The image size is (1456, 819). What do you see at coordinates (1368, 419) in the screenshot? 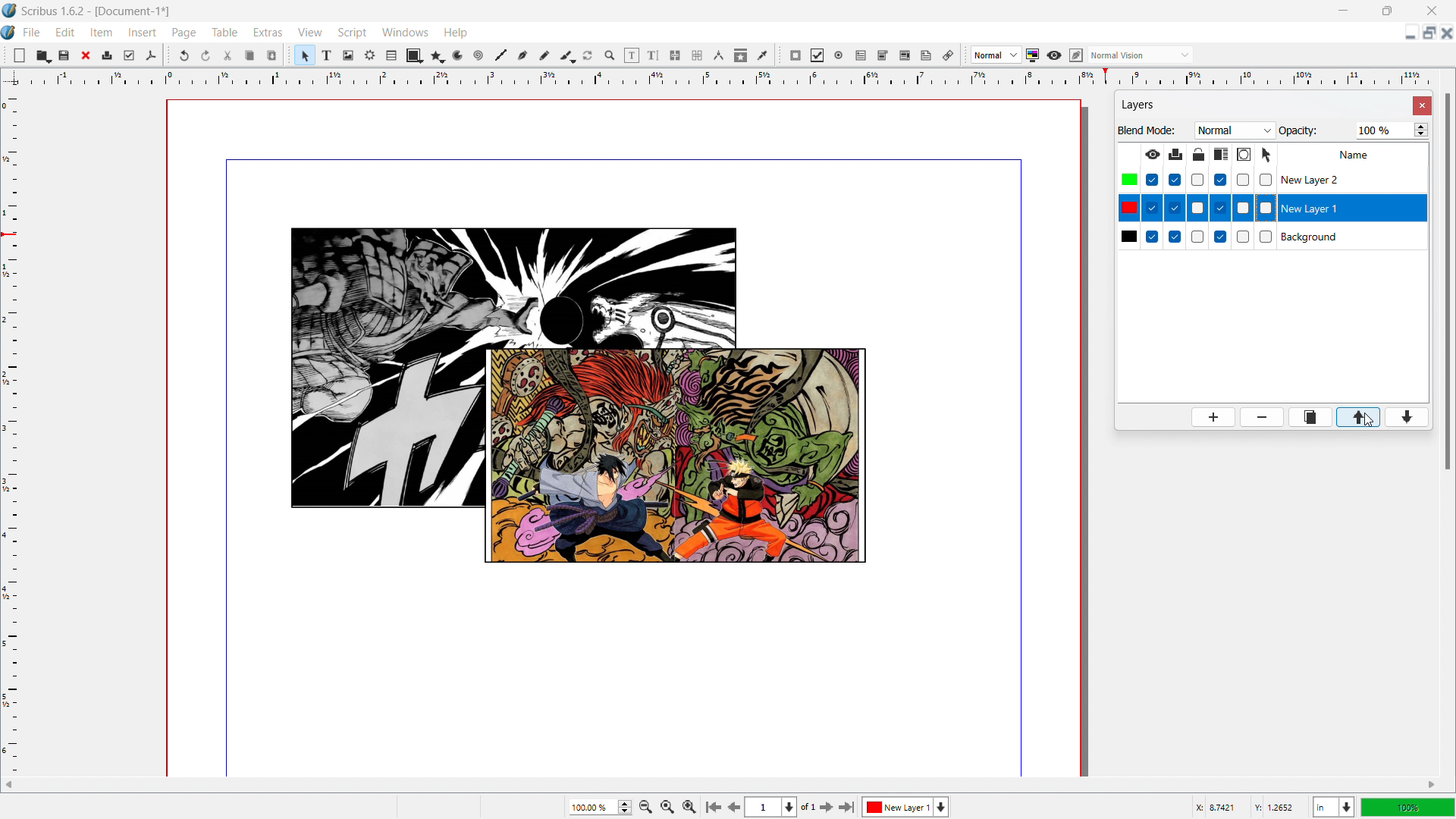
I see `cursor` at bounding box center [1368, 419].